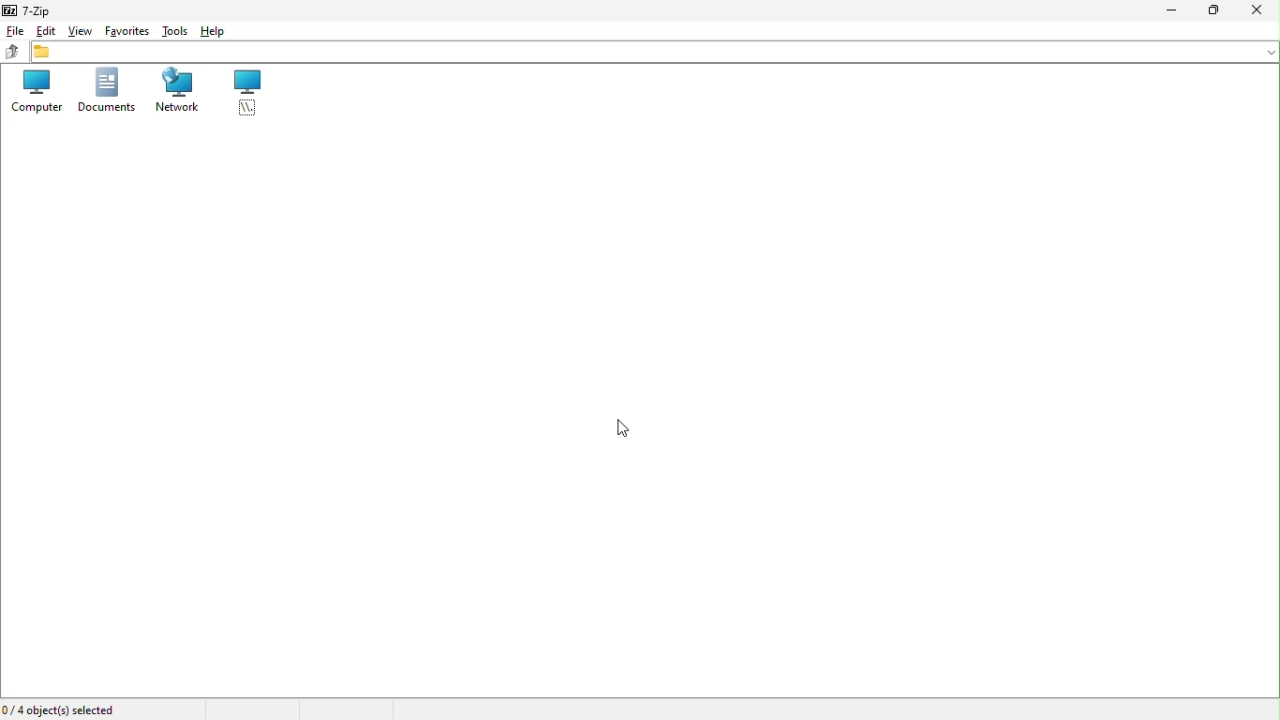 The width and height of the screenshot is (1280, 720). I want to click on Documents, so click(101, 92).